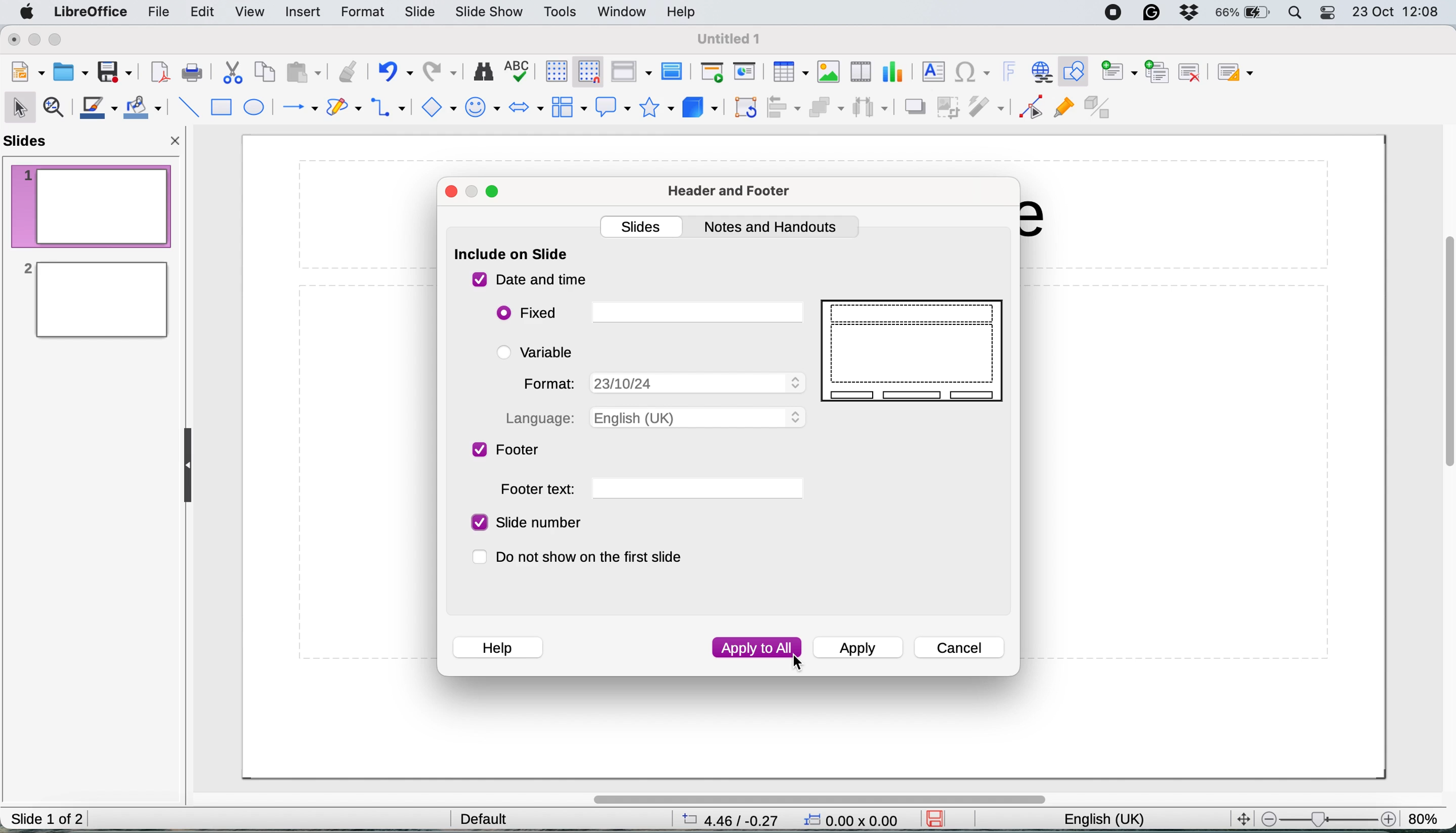  Describe the element at coordinates (644, 225) in the screenshot. I see `slides` at that location.